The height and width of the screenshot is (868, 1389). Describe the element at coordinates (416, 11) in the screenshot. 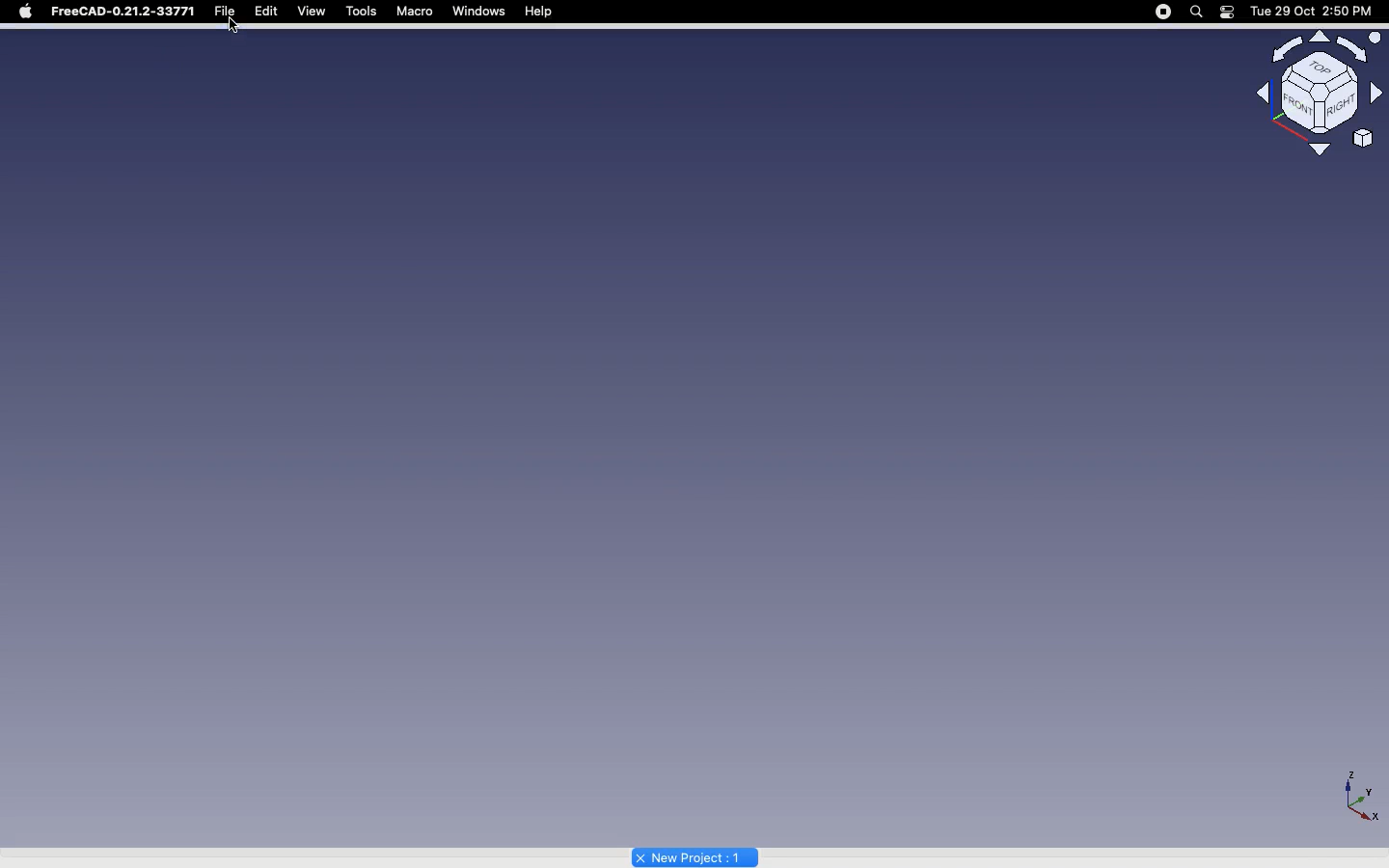

I see `Macro` at that location.